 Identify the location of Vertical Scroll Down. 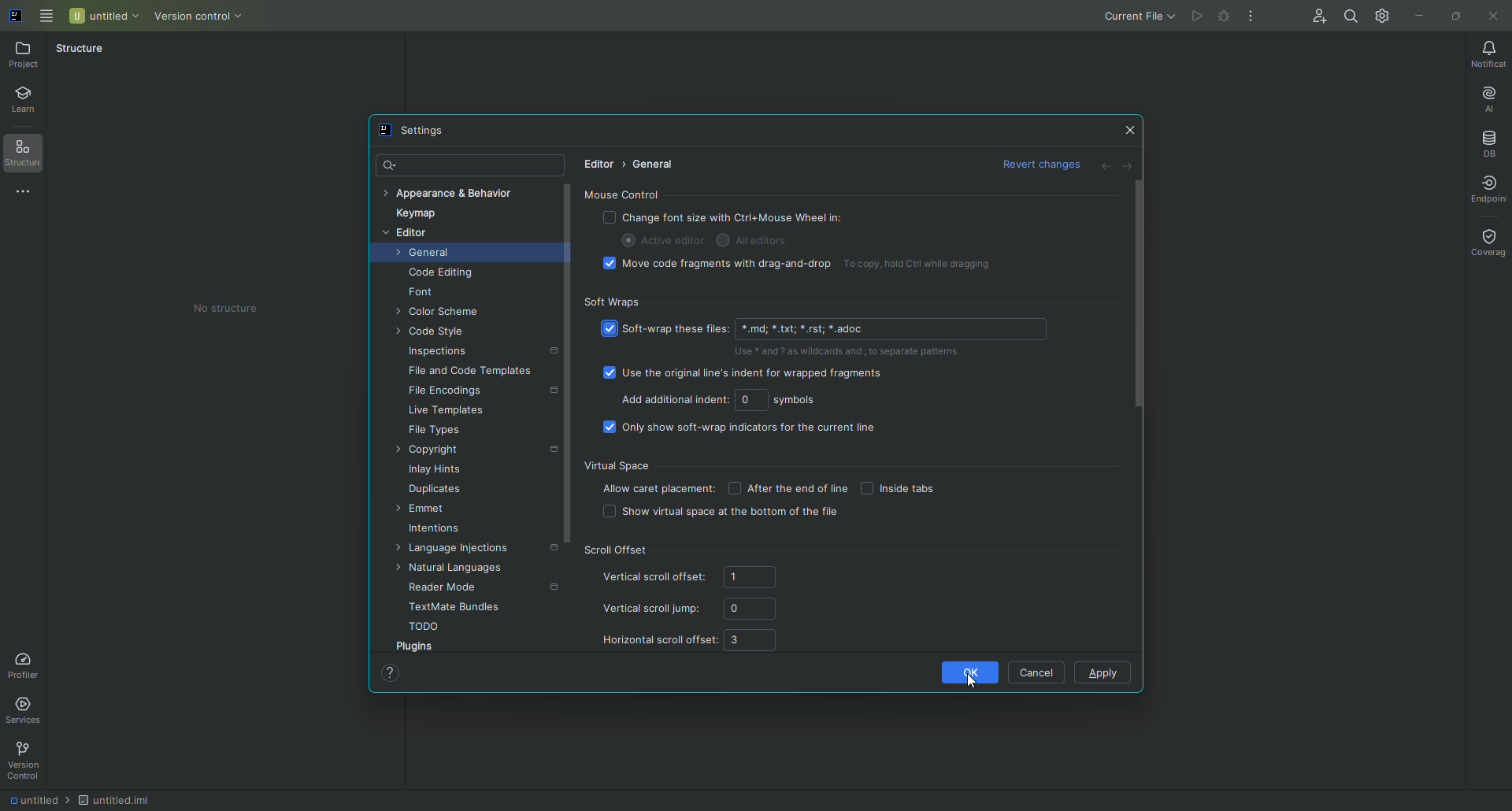
(1139, 296).